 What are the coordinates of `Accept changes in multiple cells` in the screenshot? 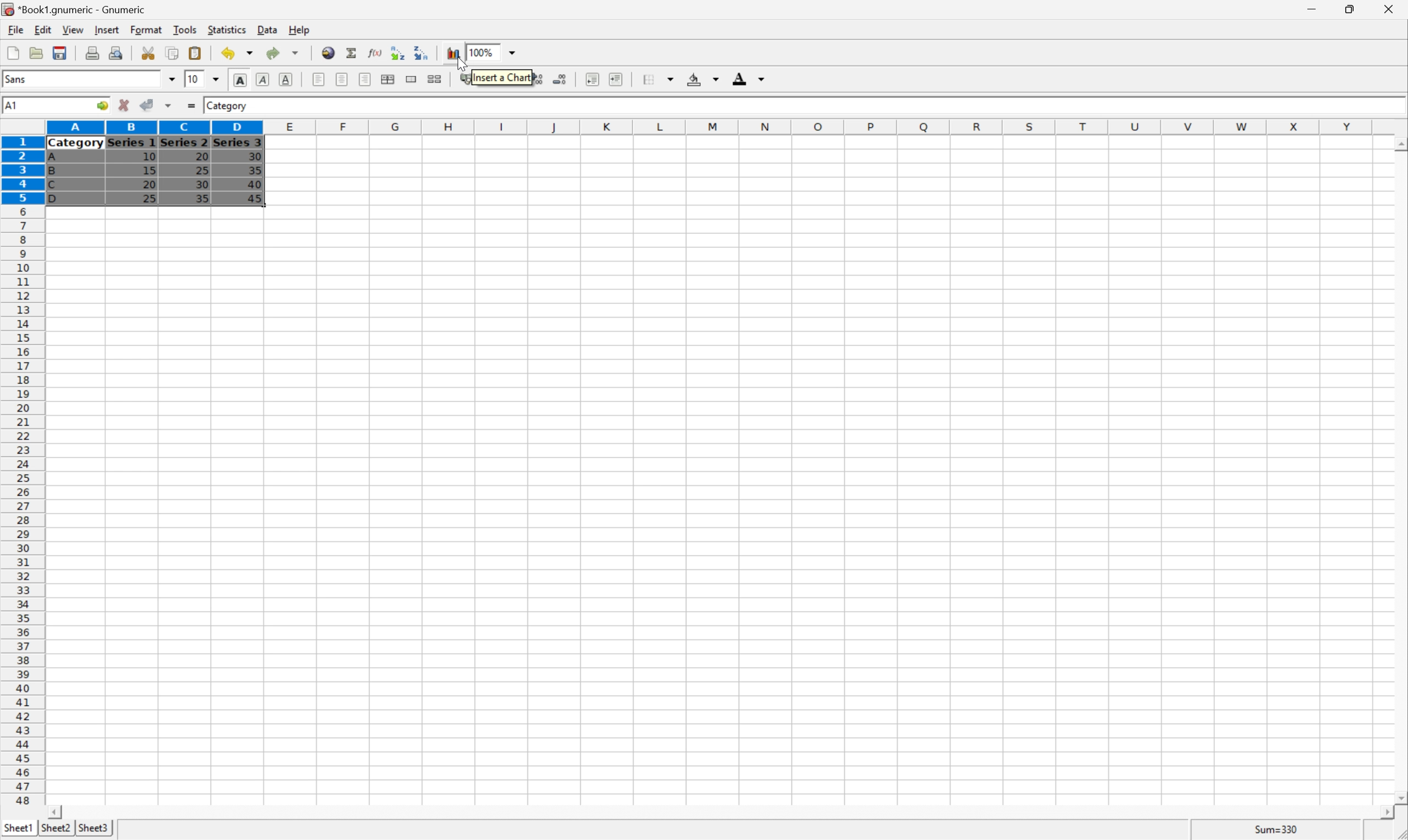 It's located at (168, 105).